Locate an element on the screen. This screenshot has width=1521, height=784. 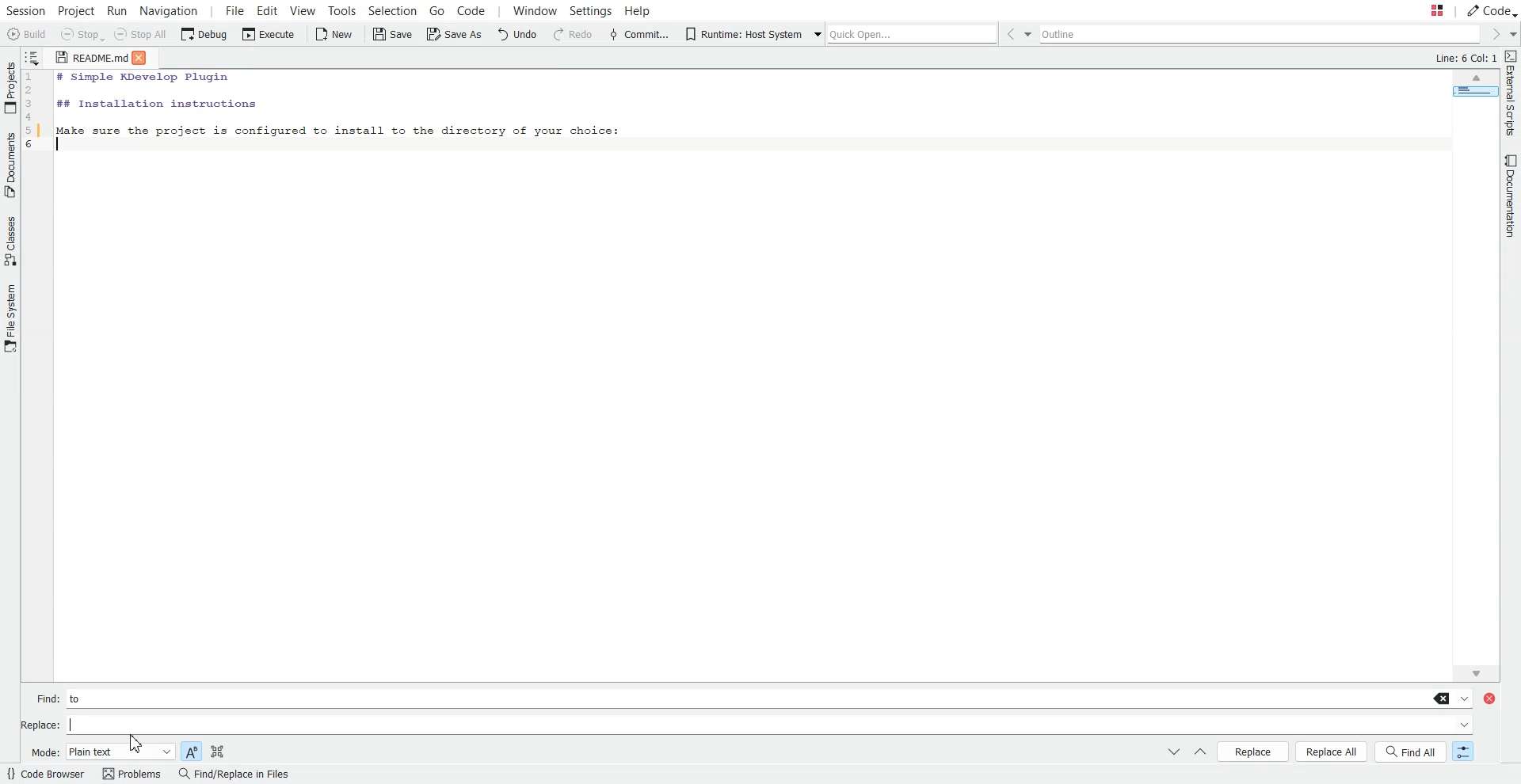
Switch To Previous is located at coordinates (1199, 753).